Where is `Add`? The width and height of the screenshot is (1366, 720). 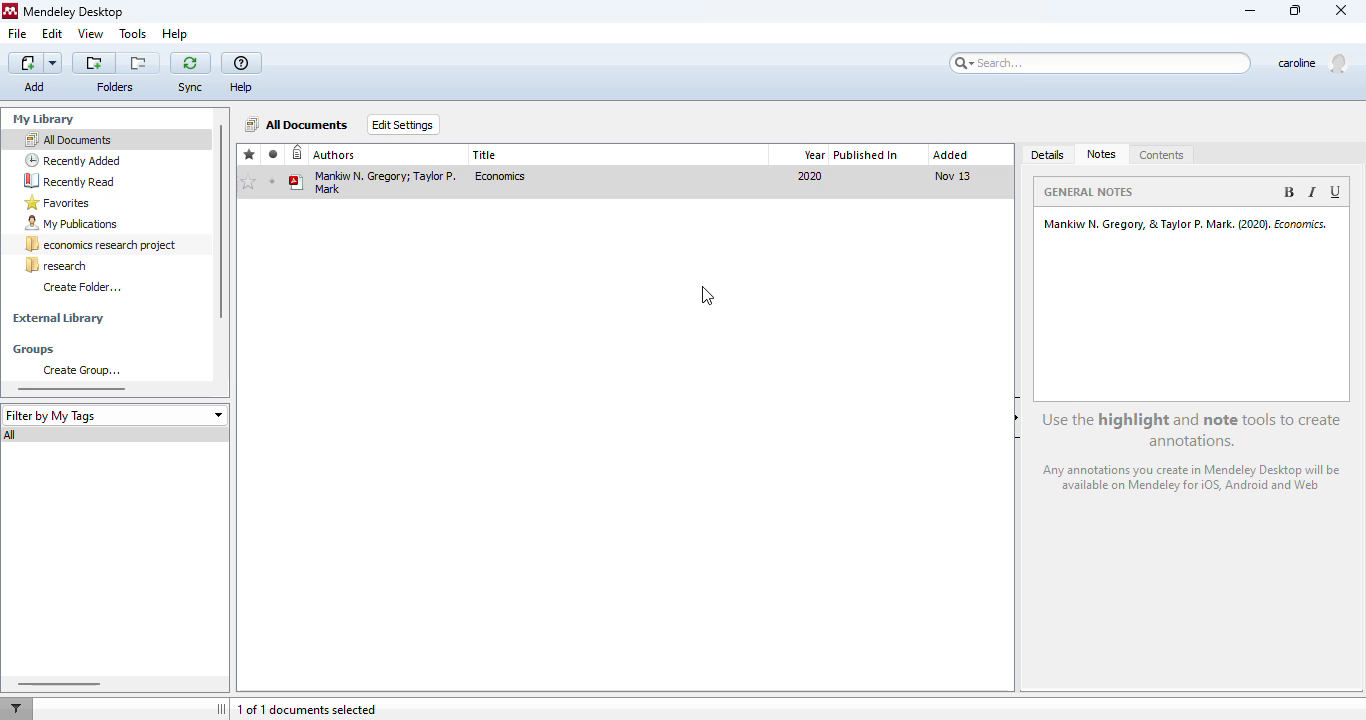
Add is located at coordinates (36, 86).